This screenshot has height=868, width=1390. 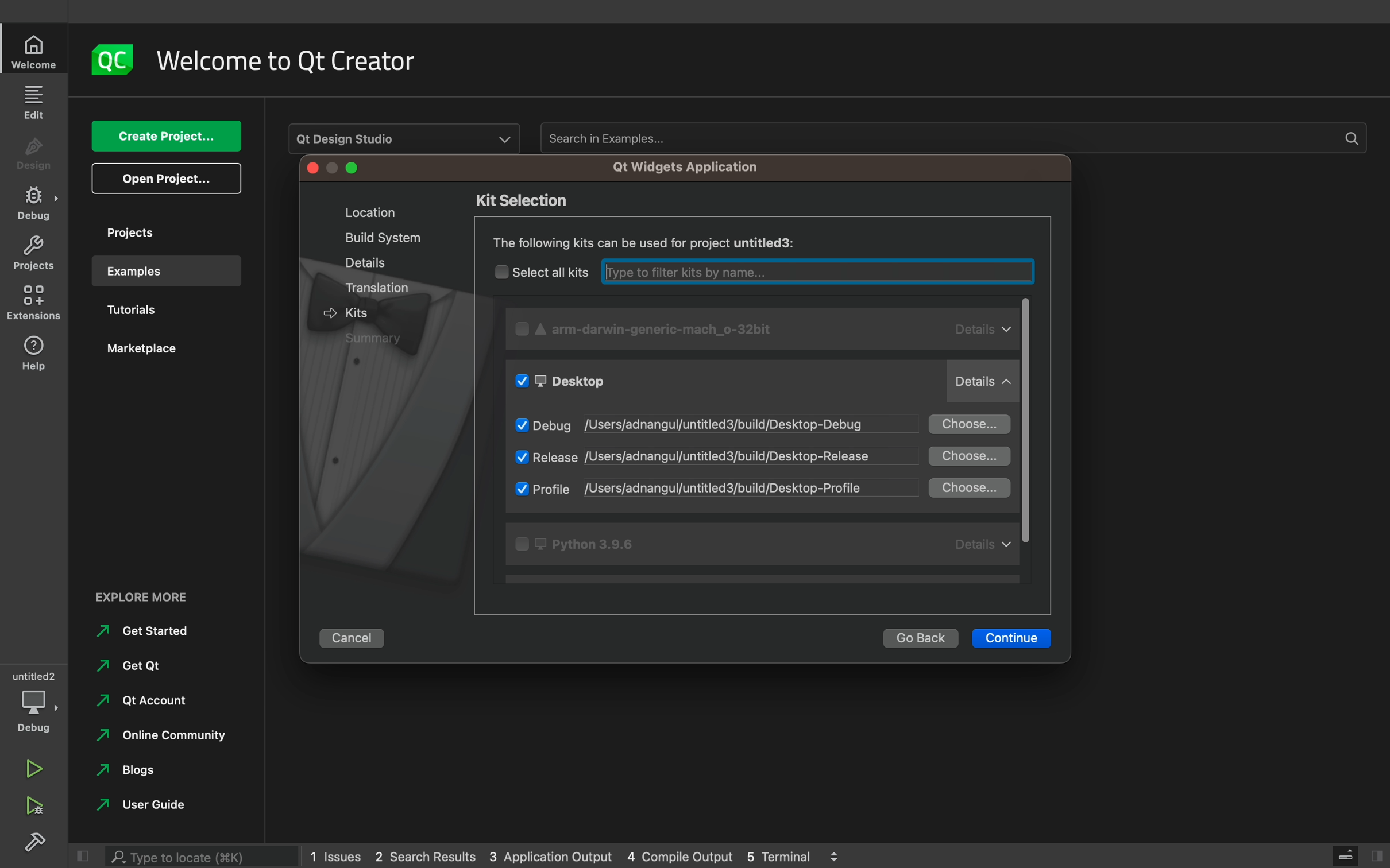 What do you see at coordinates (114, 60) in the screenshot?
I see `logo` at bounding box center [114, 60].